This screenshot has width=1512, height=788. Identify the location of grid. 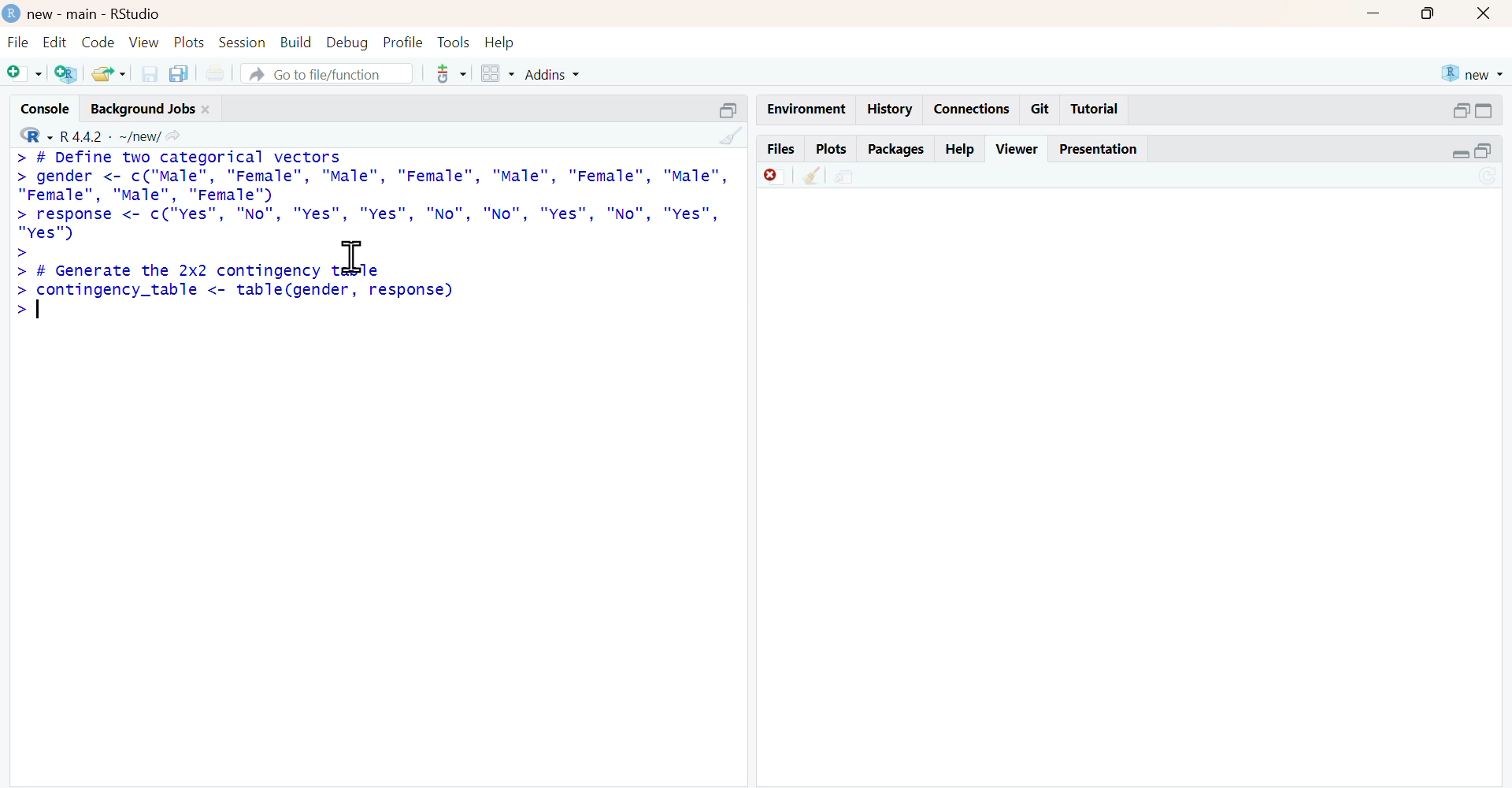
(498, 73).